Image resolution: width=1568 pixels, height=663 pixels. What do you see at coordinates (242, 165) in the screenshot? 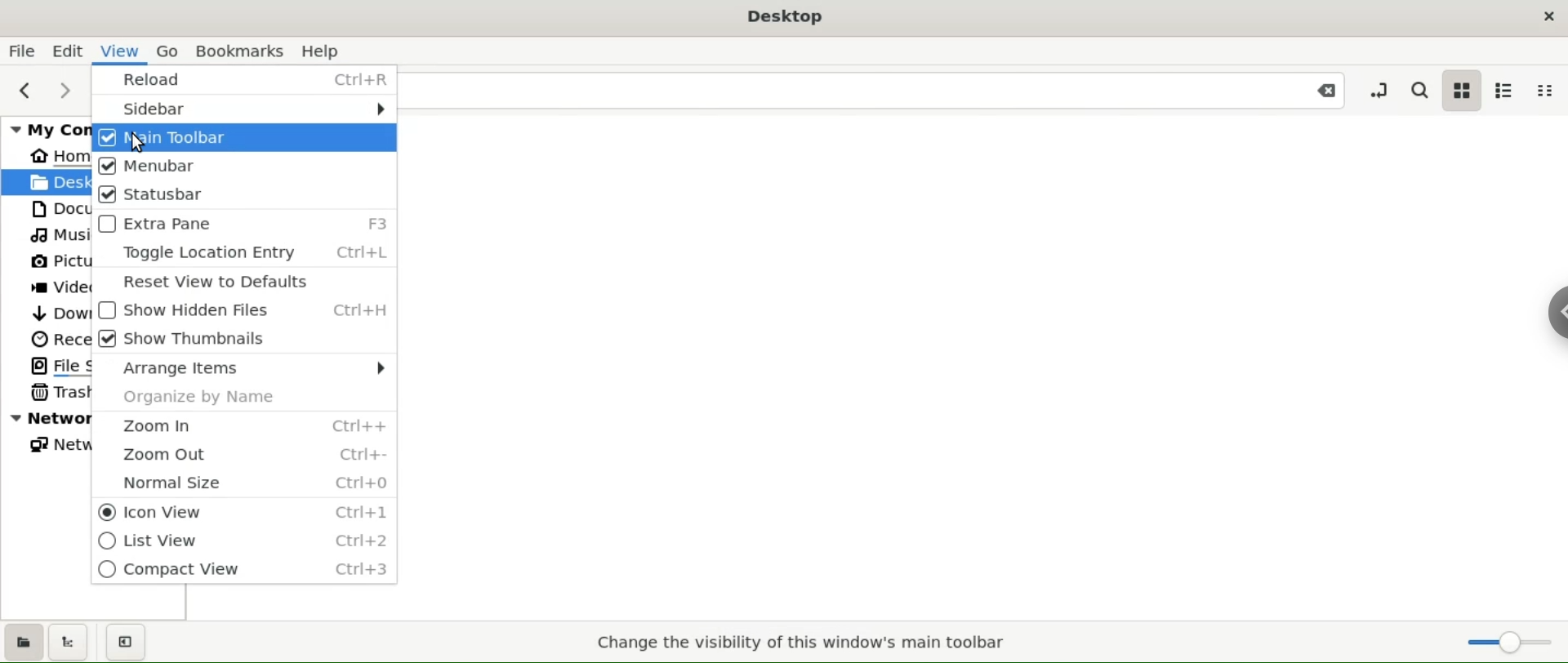
I see `menubar` at bounding box center [242, 165].